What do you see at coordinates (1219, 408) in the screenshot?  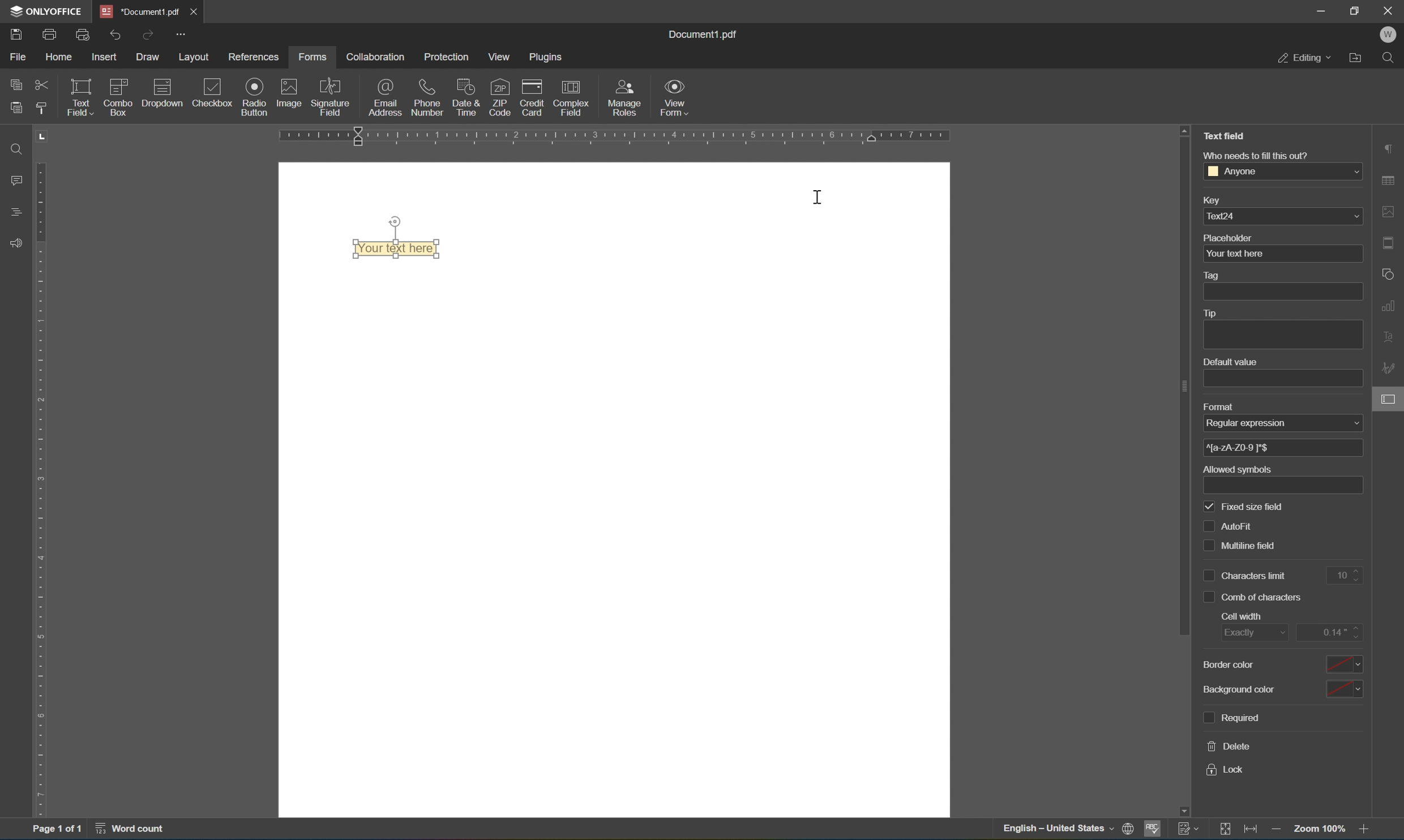 I see `format` at bounding box center [1219, 408].